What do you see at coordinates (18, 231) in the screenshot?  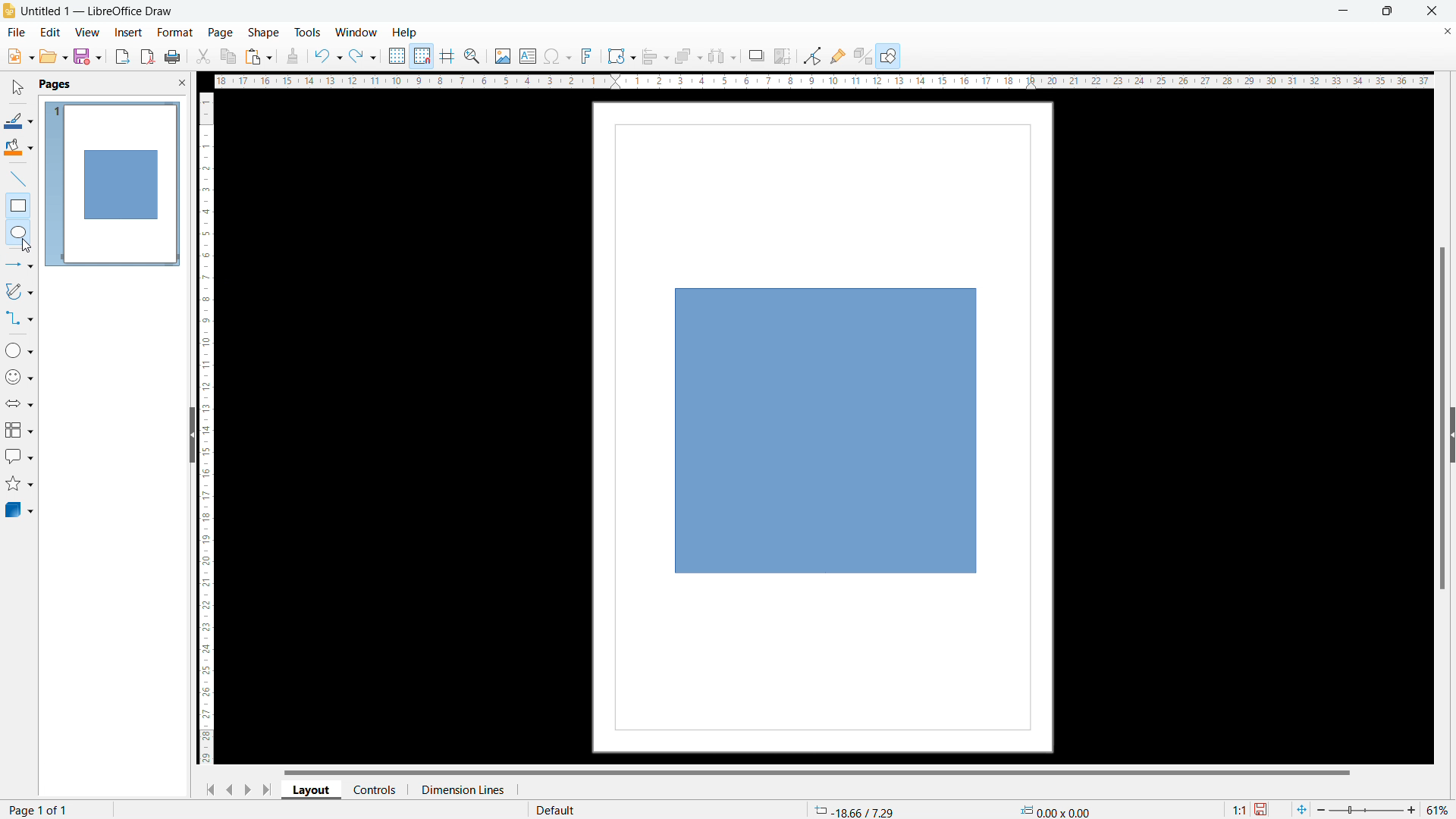 I see `elipse` at bounding box center [18, 231].